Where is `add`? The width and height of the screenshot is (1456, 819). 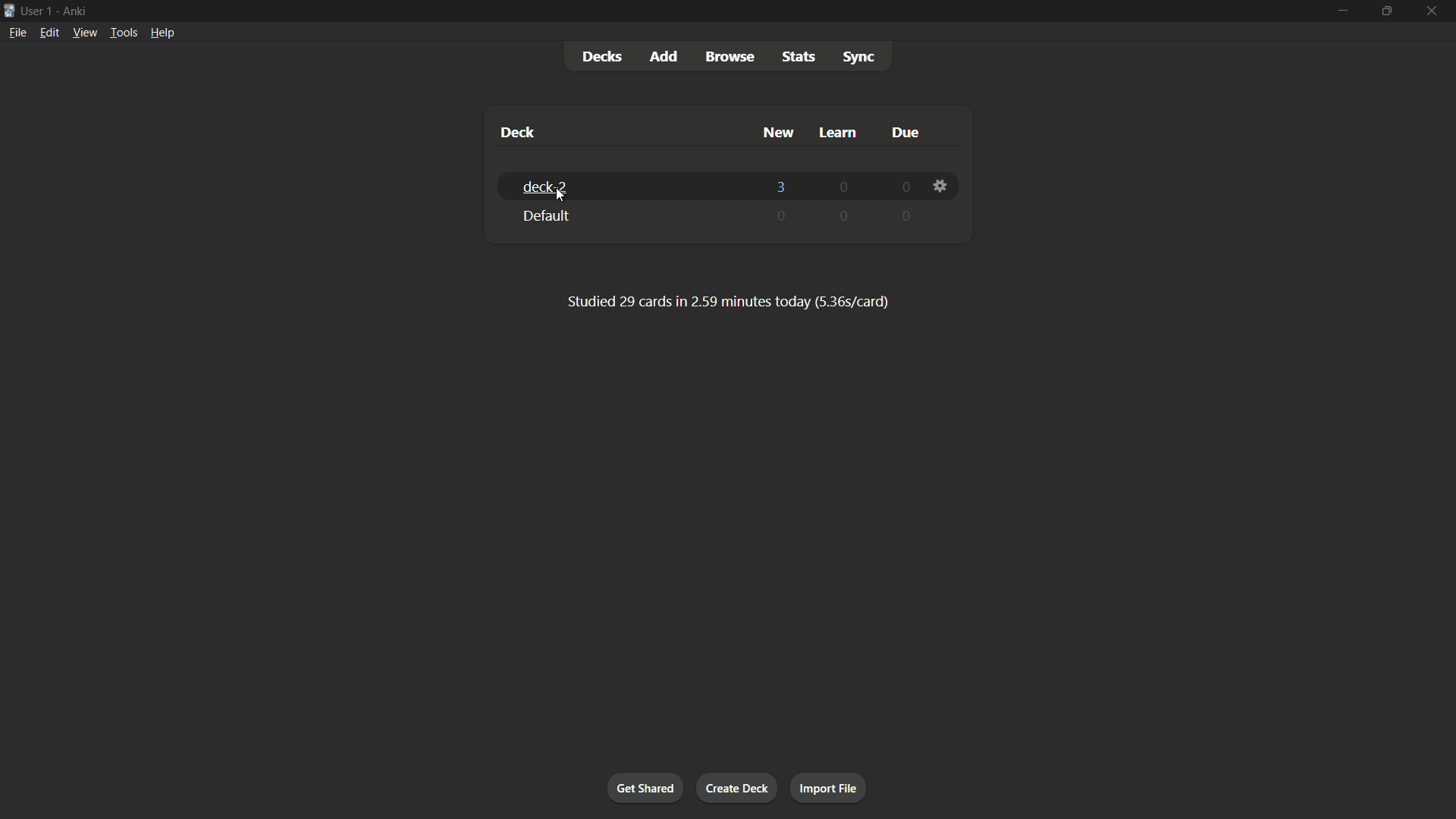 add is located at coordinates (665, 56).